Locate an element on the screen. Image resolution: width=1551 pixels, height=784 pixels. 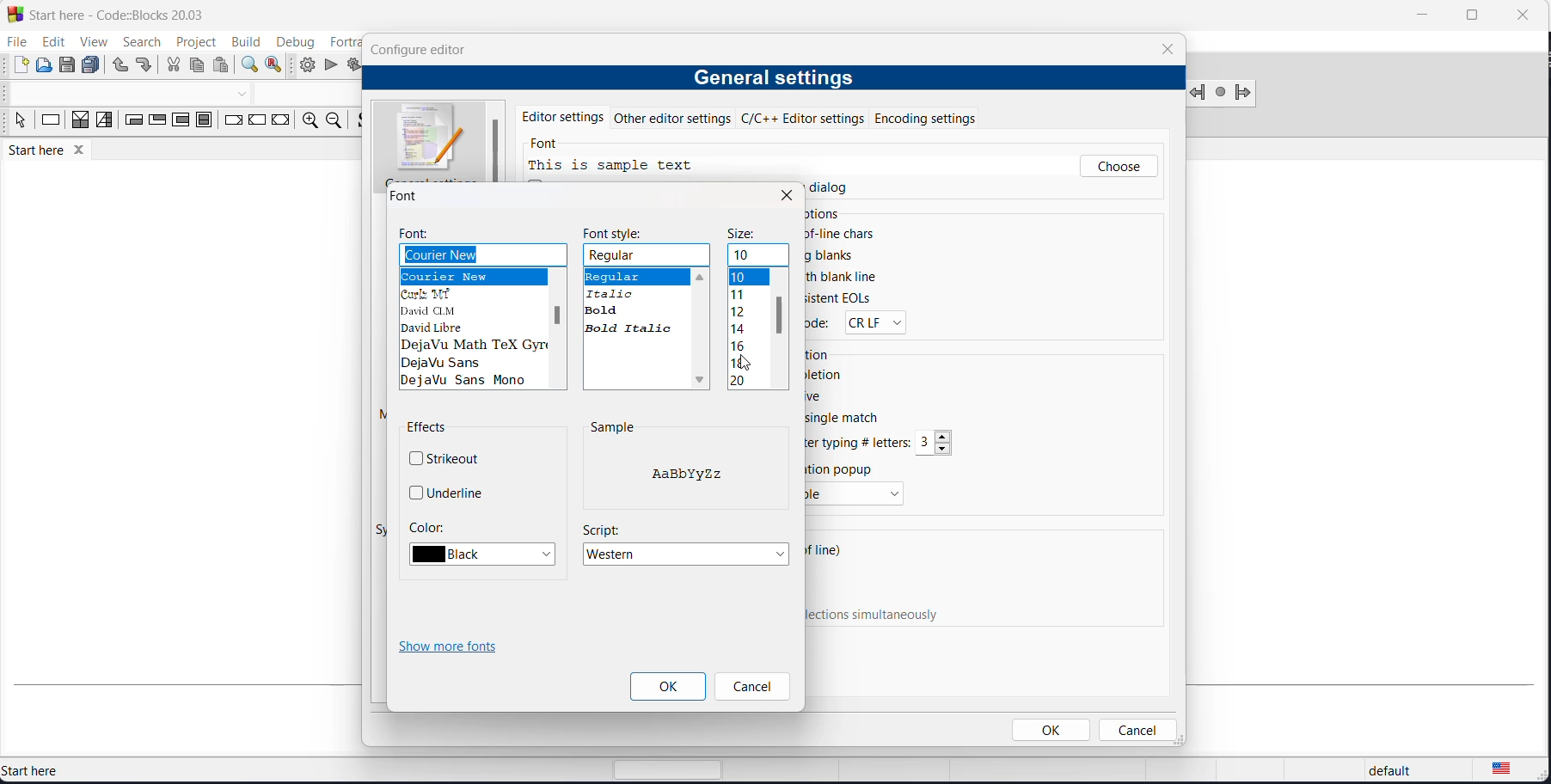
Popup is located at coordinates (844, 469).